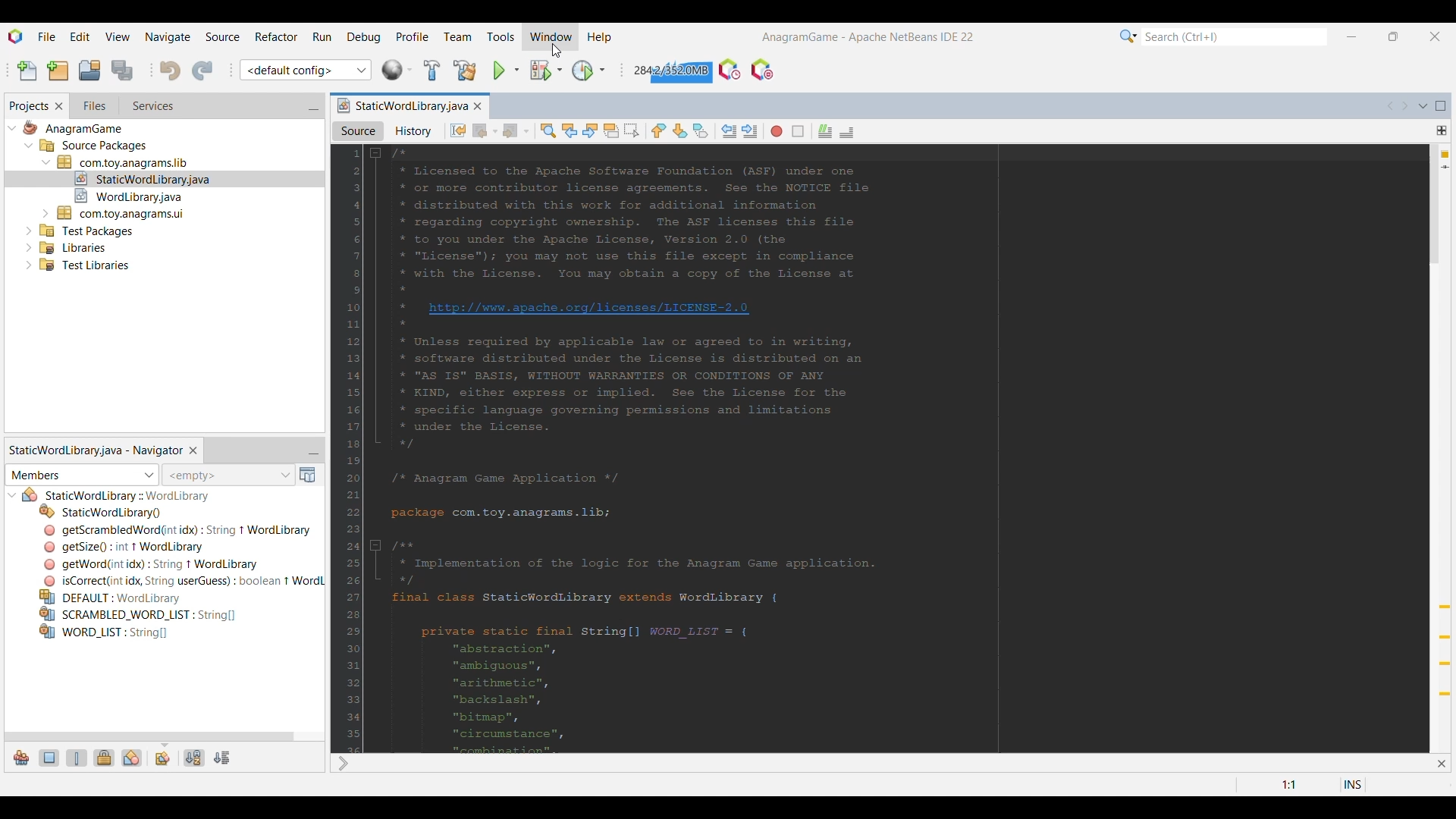 The image size is (1456, 819). Describe the element at coordinates (88, 229) in the screenshot. I see `` at that location.